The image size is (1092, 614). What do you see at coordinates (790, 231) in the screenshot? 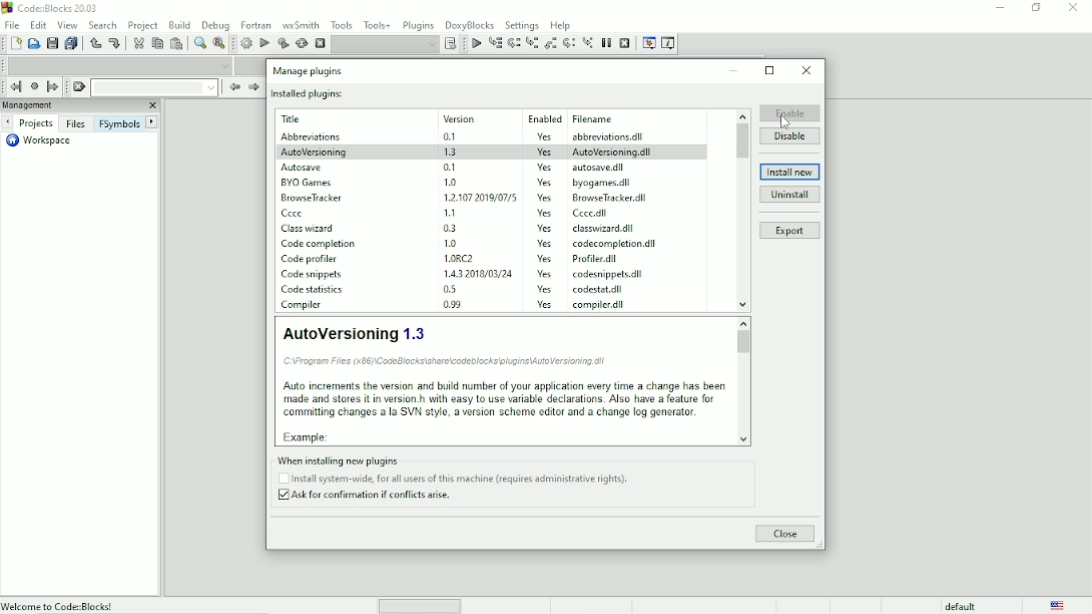
I see `Export` at bounding box center [790, 231].